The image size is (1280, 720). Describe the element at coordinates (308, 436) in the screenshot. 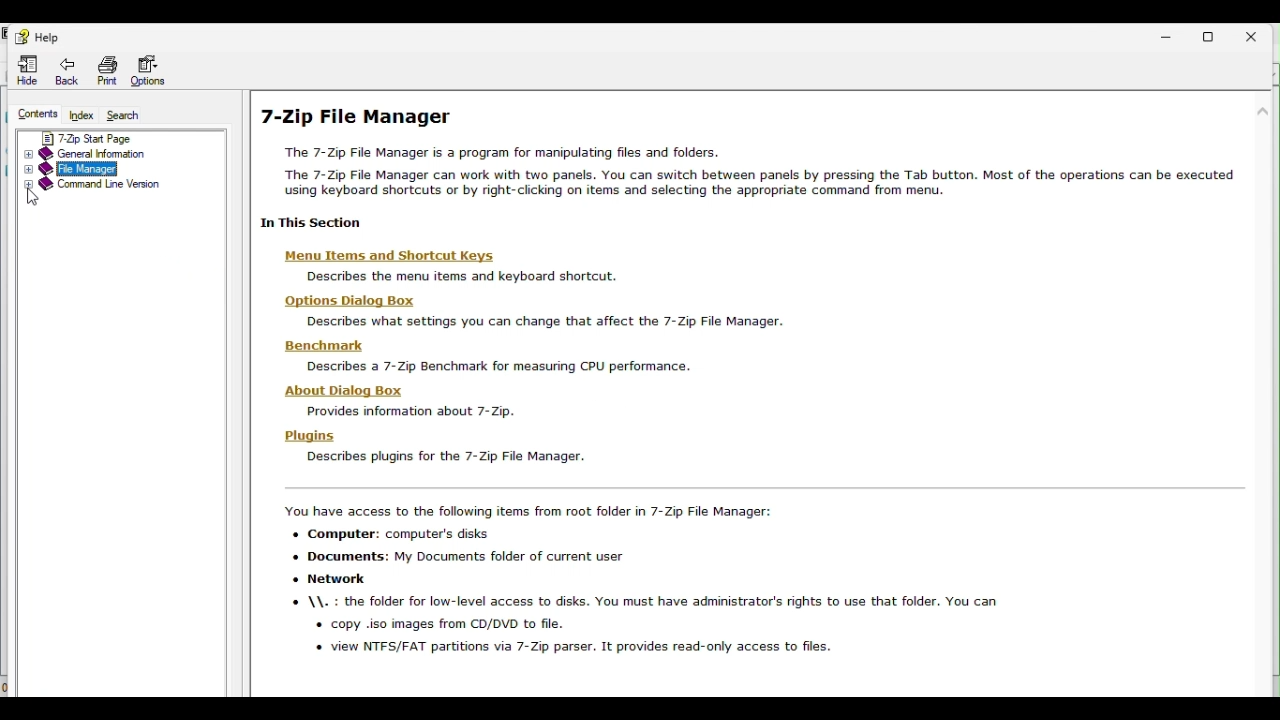

I see `plugins` at that location.